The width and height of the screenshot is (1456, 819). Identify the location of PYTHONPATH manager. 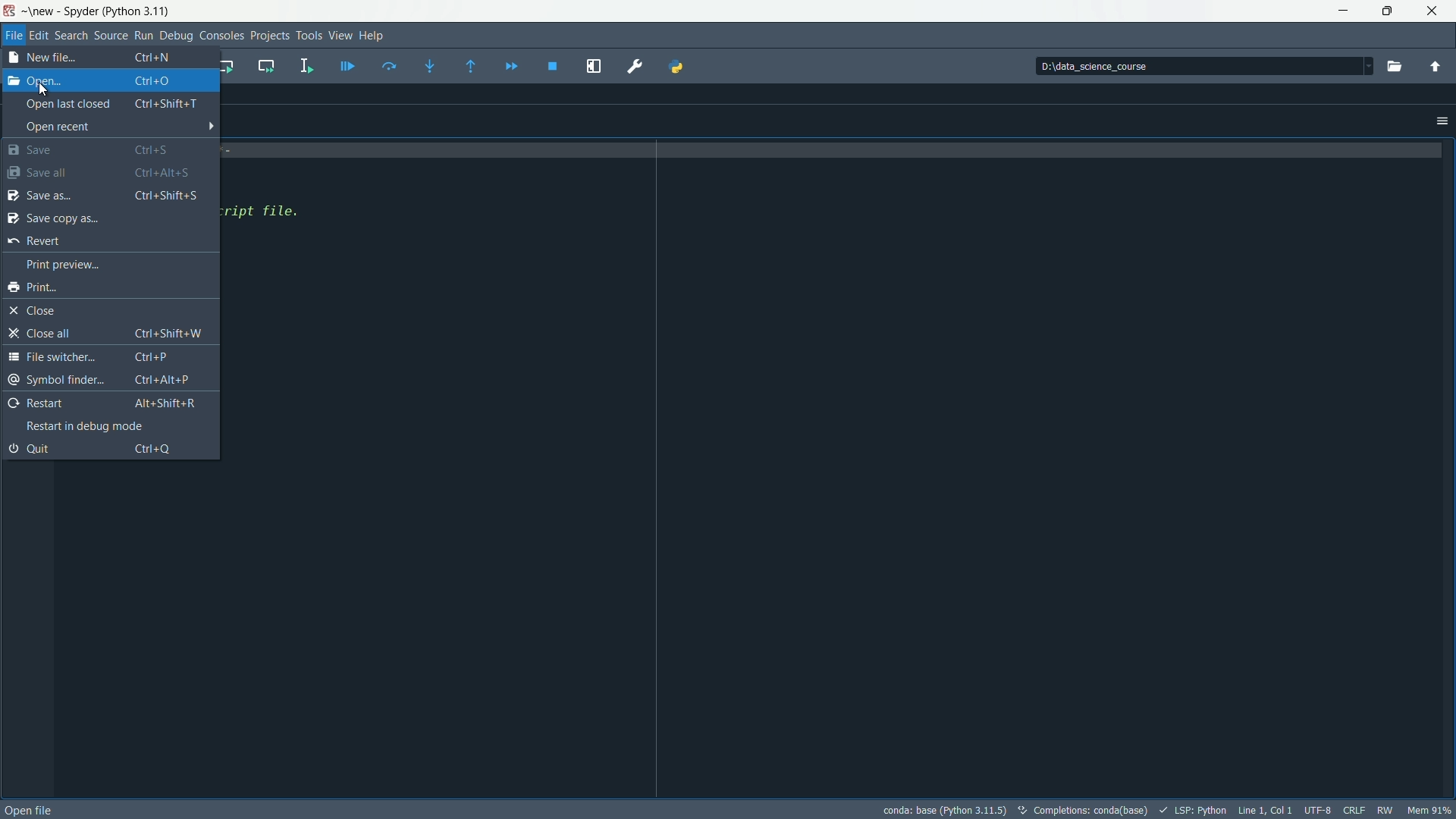
(682, 67).